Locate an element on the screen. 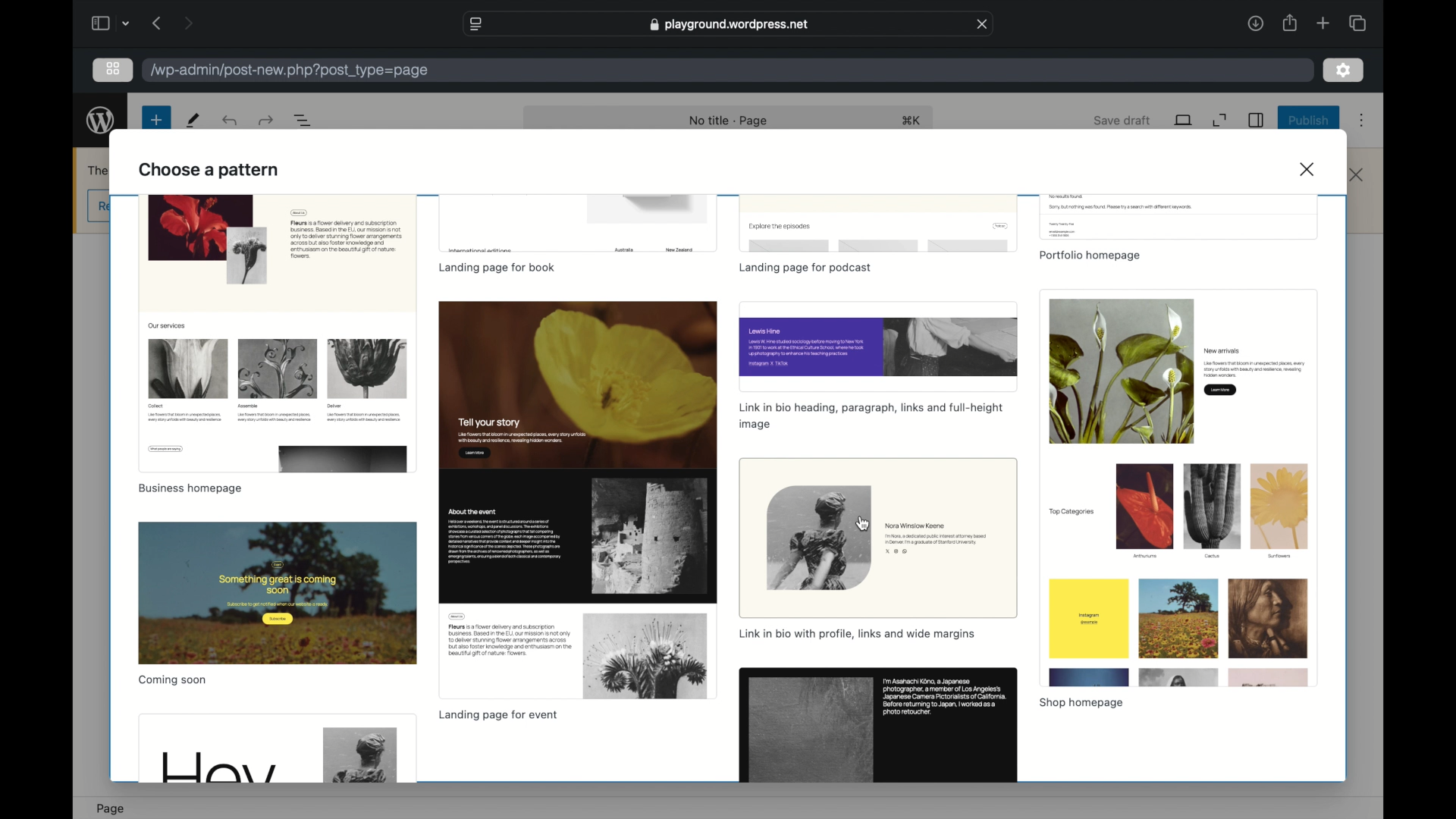 This screenshot has height=819, width=1456. publish is located at coordinates (1310, 120).